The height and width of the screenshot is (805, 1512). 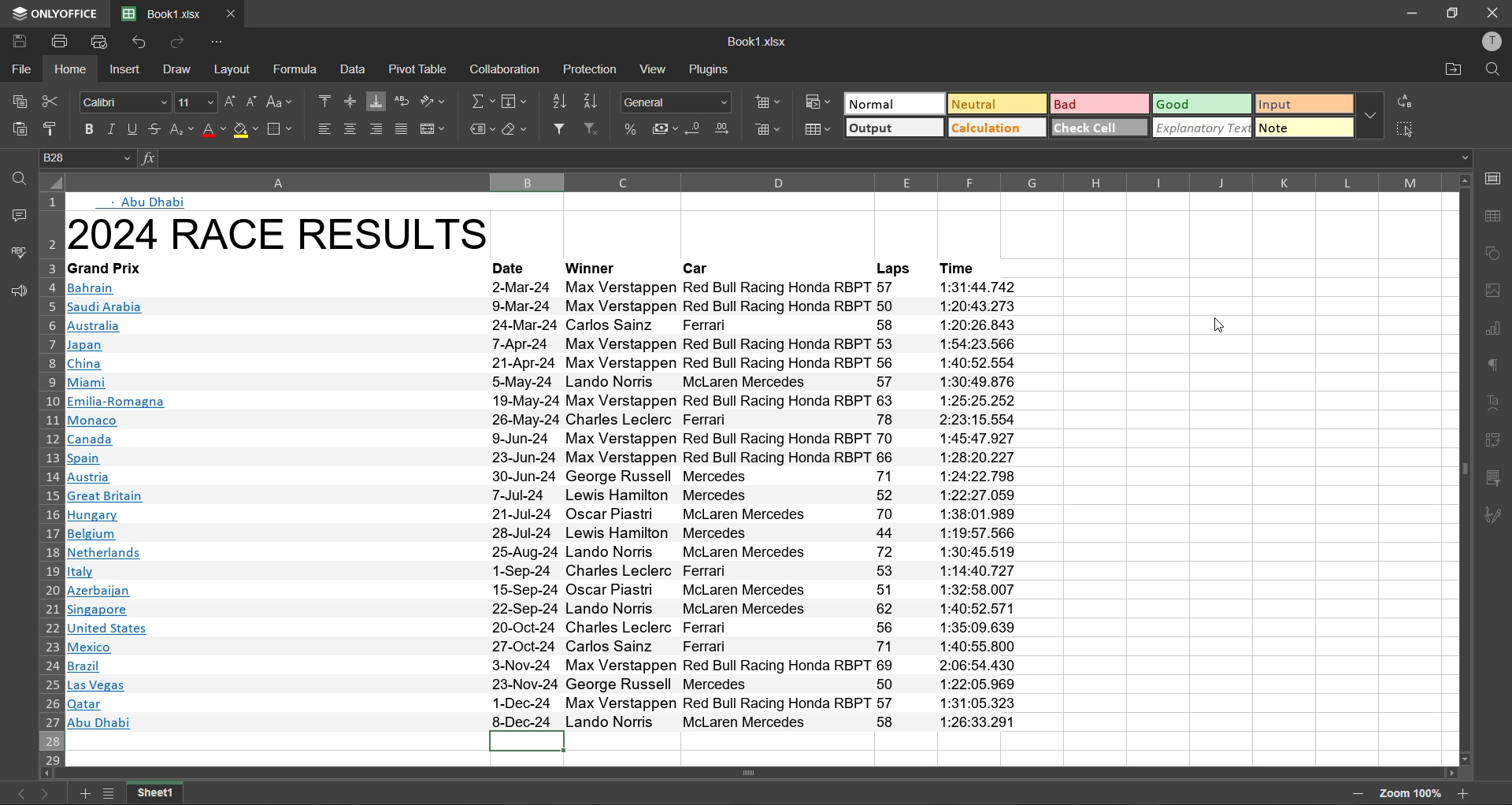 I want to click on named ranges, so click(x=478, y=128).